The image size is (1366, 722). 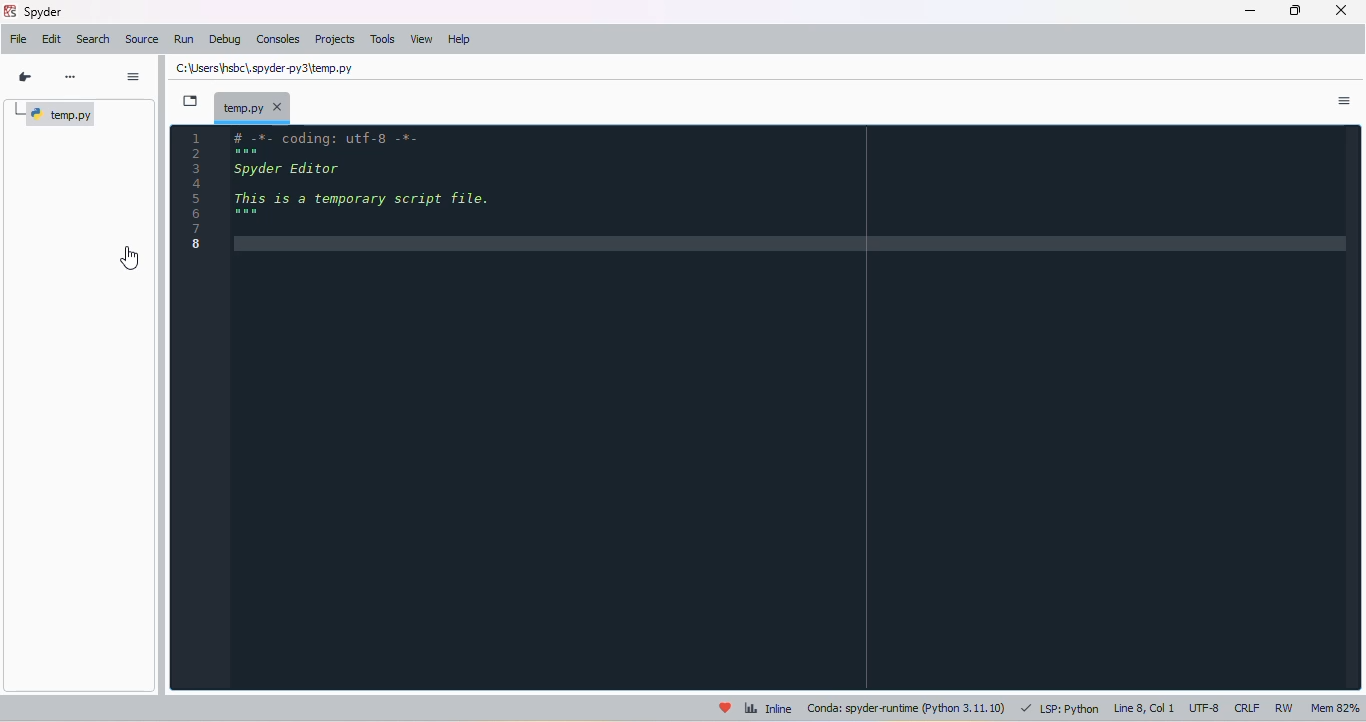 What do you see at coordinates (725, 707) in the screenshot?
I see `help spyder!` at bounding box center [725, 707].